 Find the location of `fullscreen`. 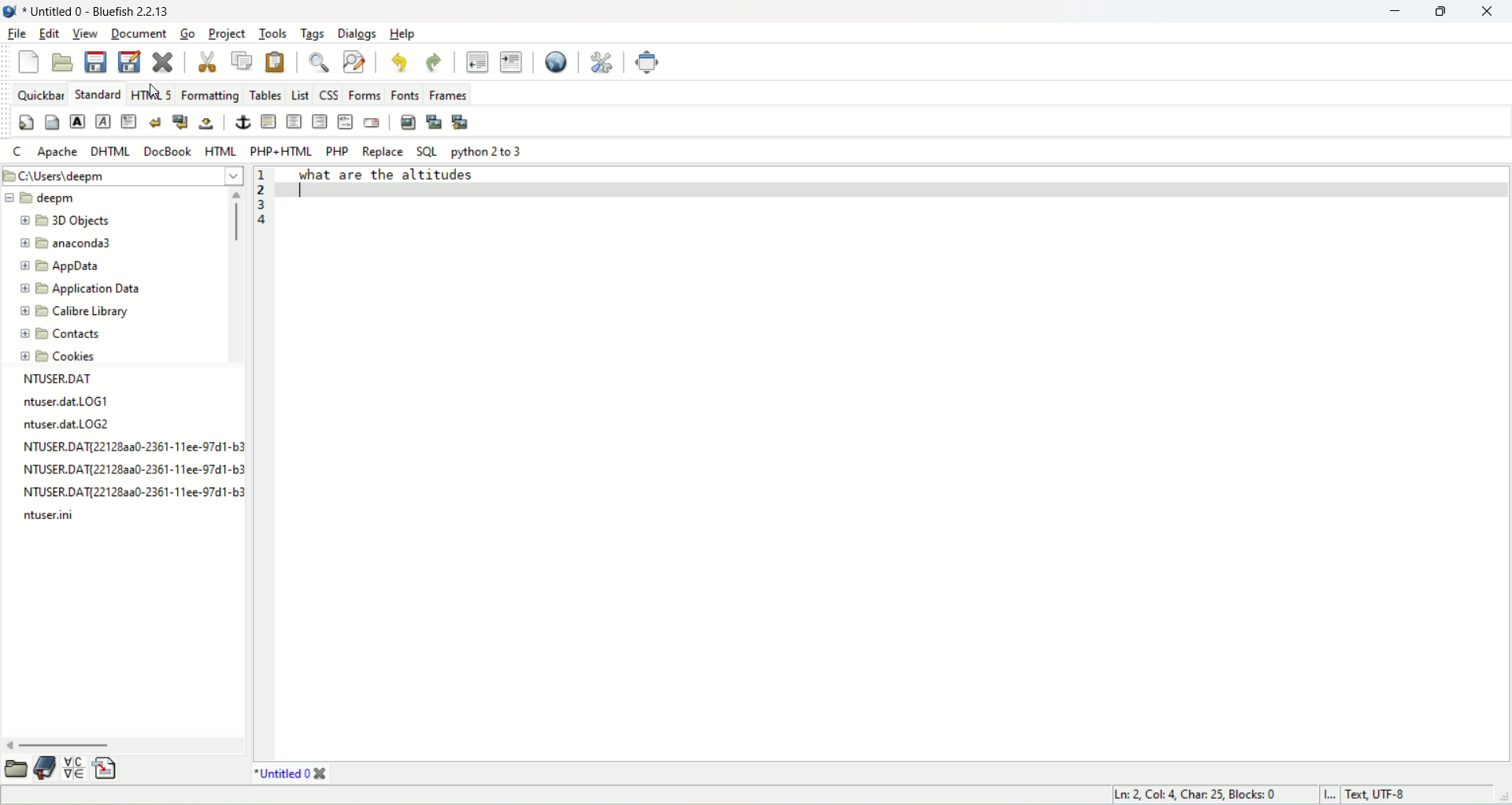

fullscreen is located at coordinates (648, 62).